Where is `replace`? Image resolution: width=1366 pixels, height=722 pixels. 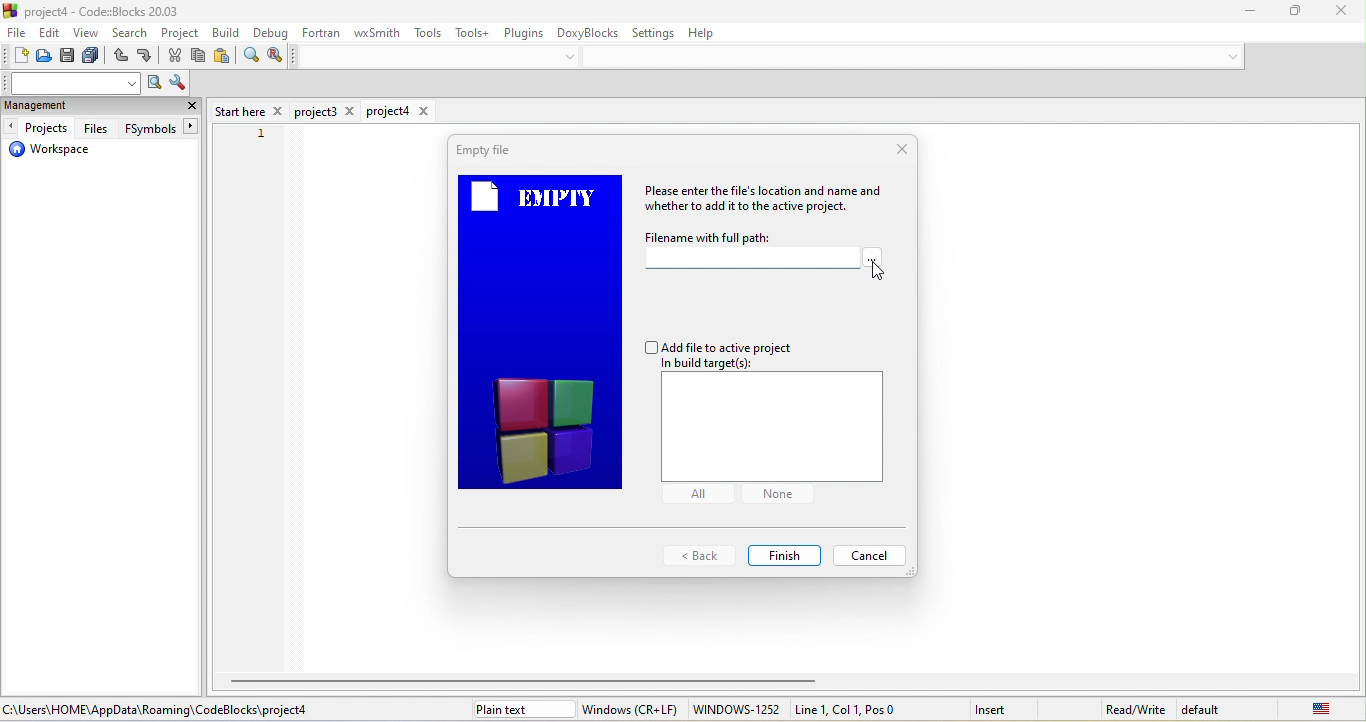
replace is located at coordinates (275, 56).